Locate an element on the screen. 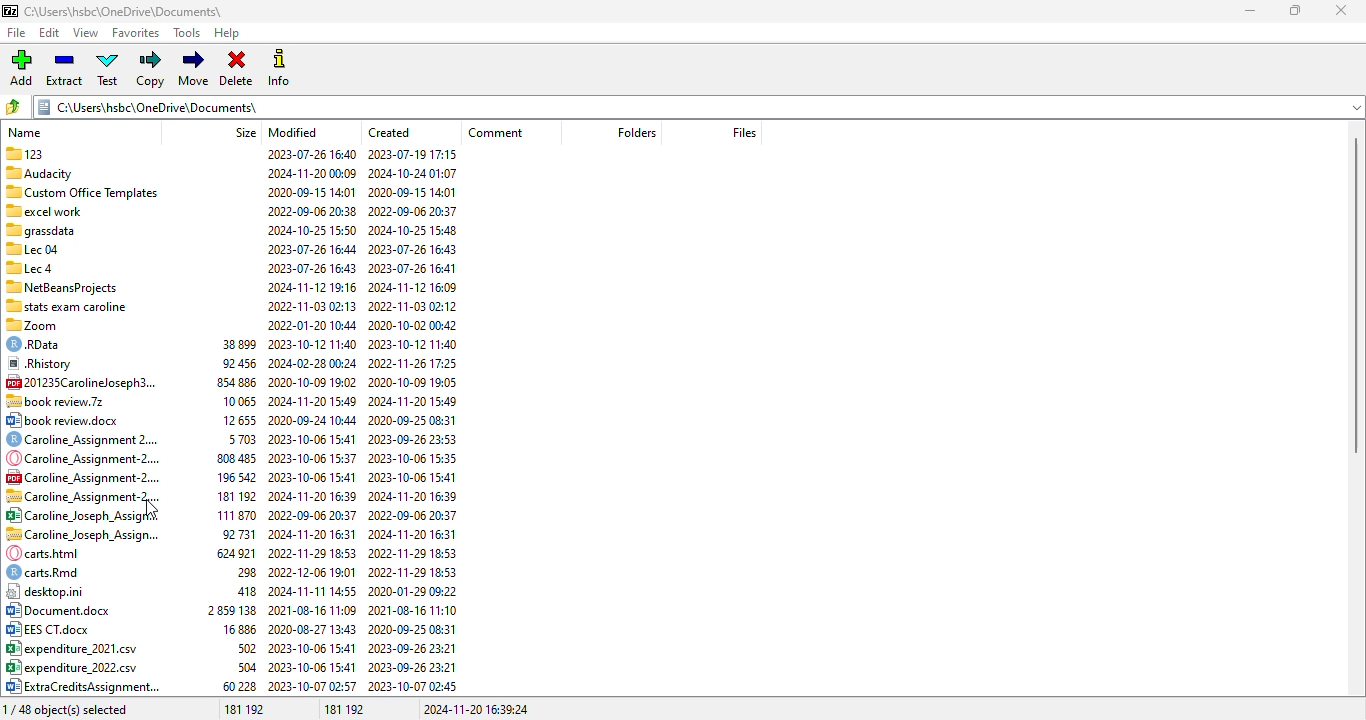 The width and height of the screenshot is (1366, 720). cursor is located at coordinates (151, 509).